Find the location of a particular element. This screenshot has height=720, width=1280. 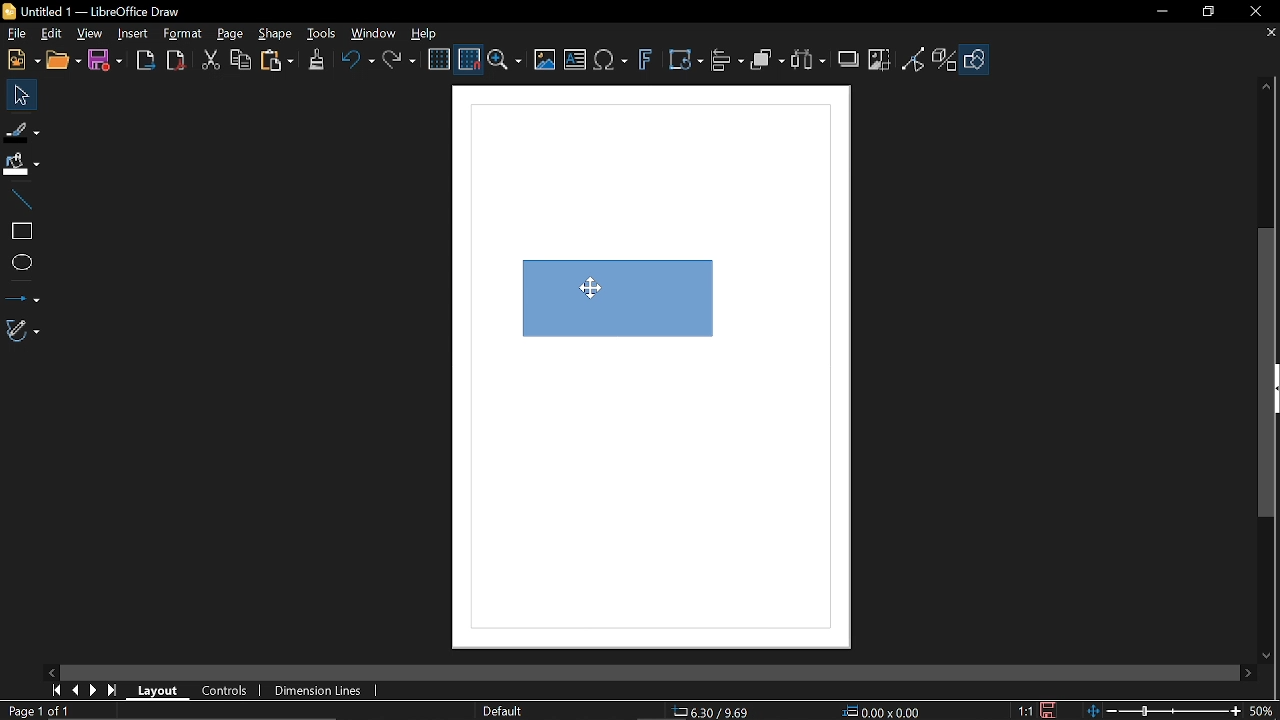

Last page is located at coordinates (112, 691).